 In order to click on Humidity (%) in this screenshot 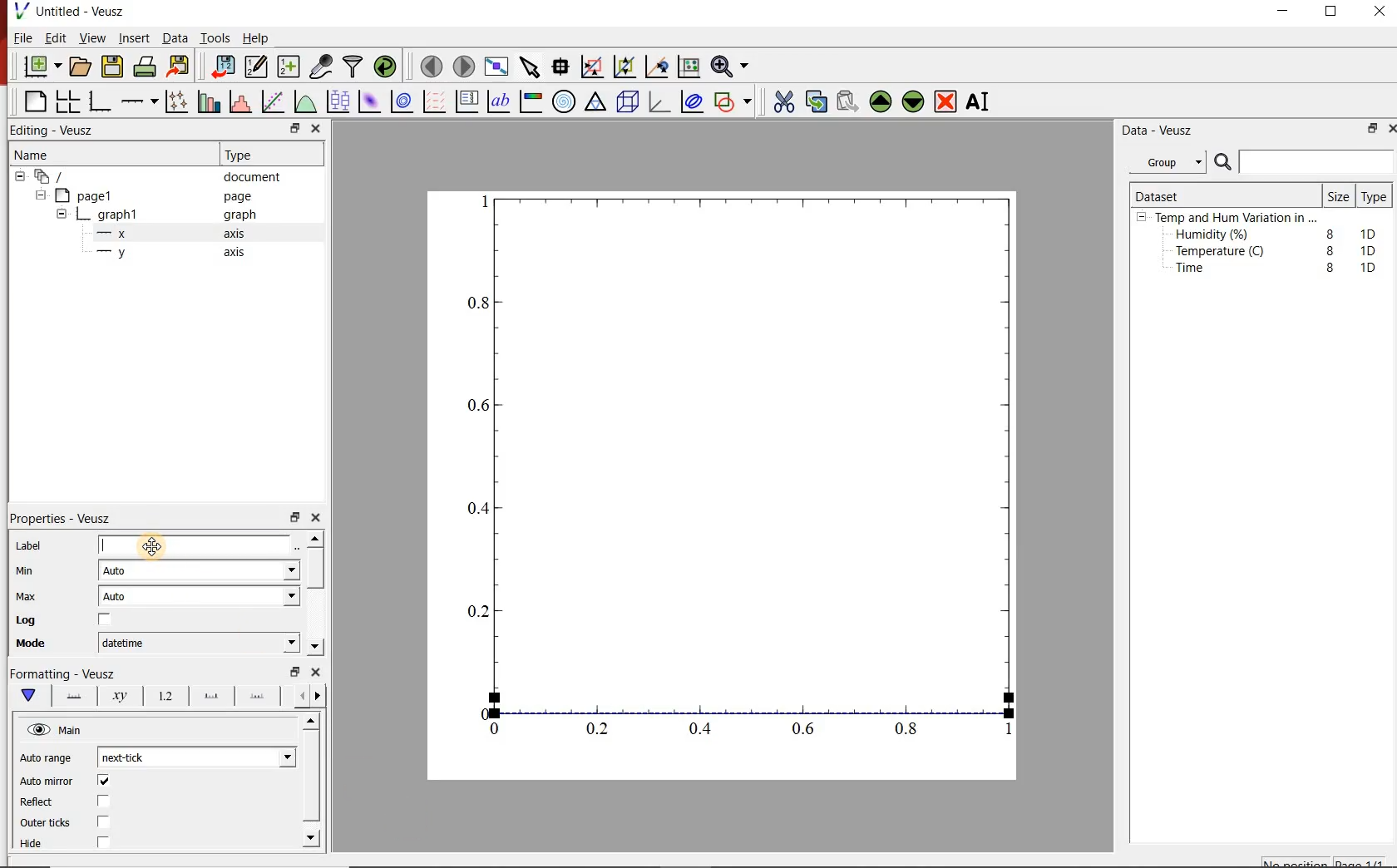, I will do `click(1216, 235)`.